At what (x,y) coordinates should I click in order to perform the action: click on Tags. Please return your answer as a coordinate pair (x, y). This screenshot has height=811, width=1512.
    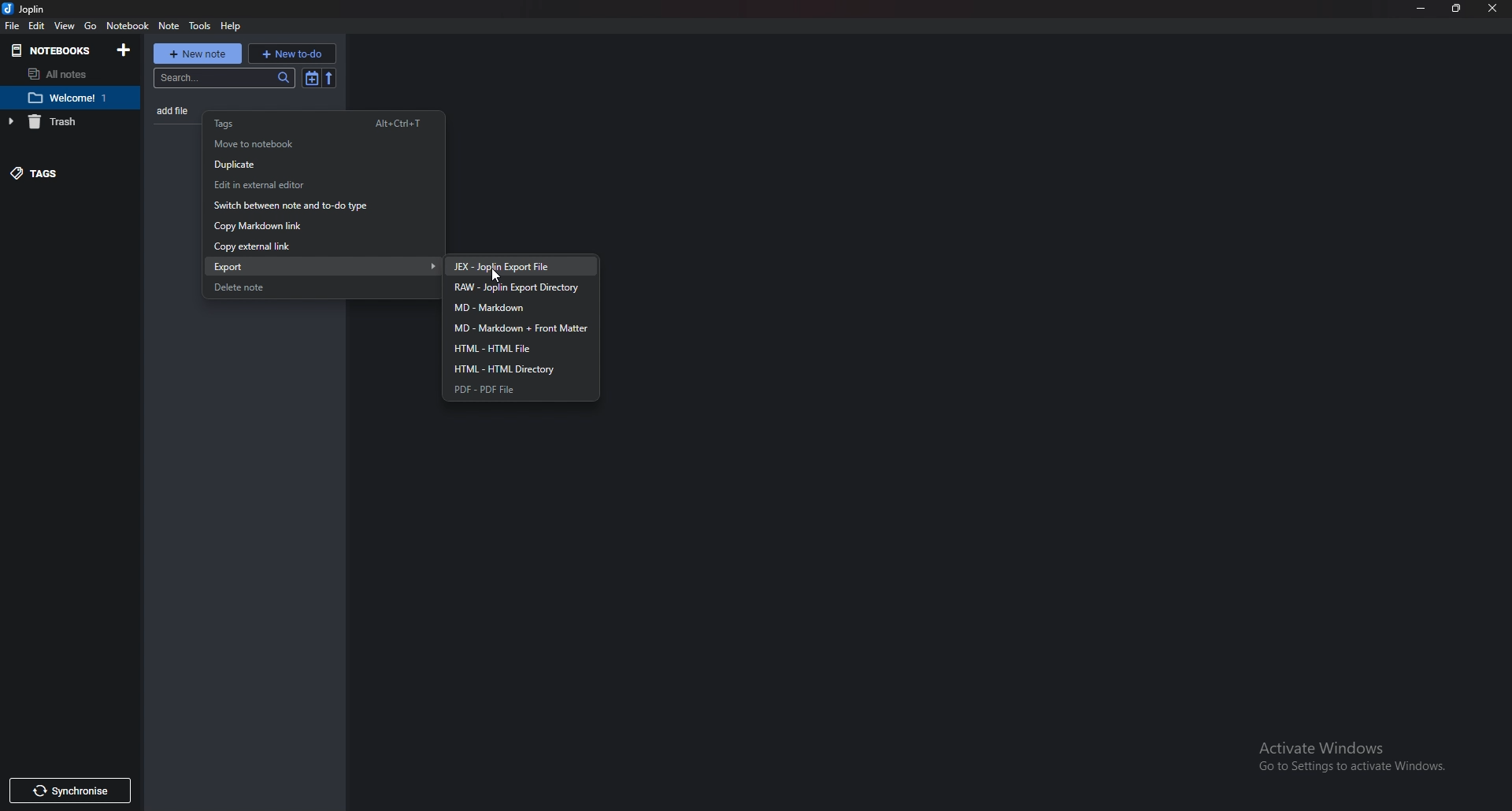
    Looking at the image, I should click on (323, 123).